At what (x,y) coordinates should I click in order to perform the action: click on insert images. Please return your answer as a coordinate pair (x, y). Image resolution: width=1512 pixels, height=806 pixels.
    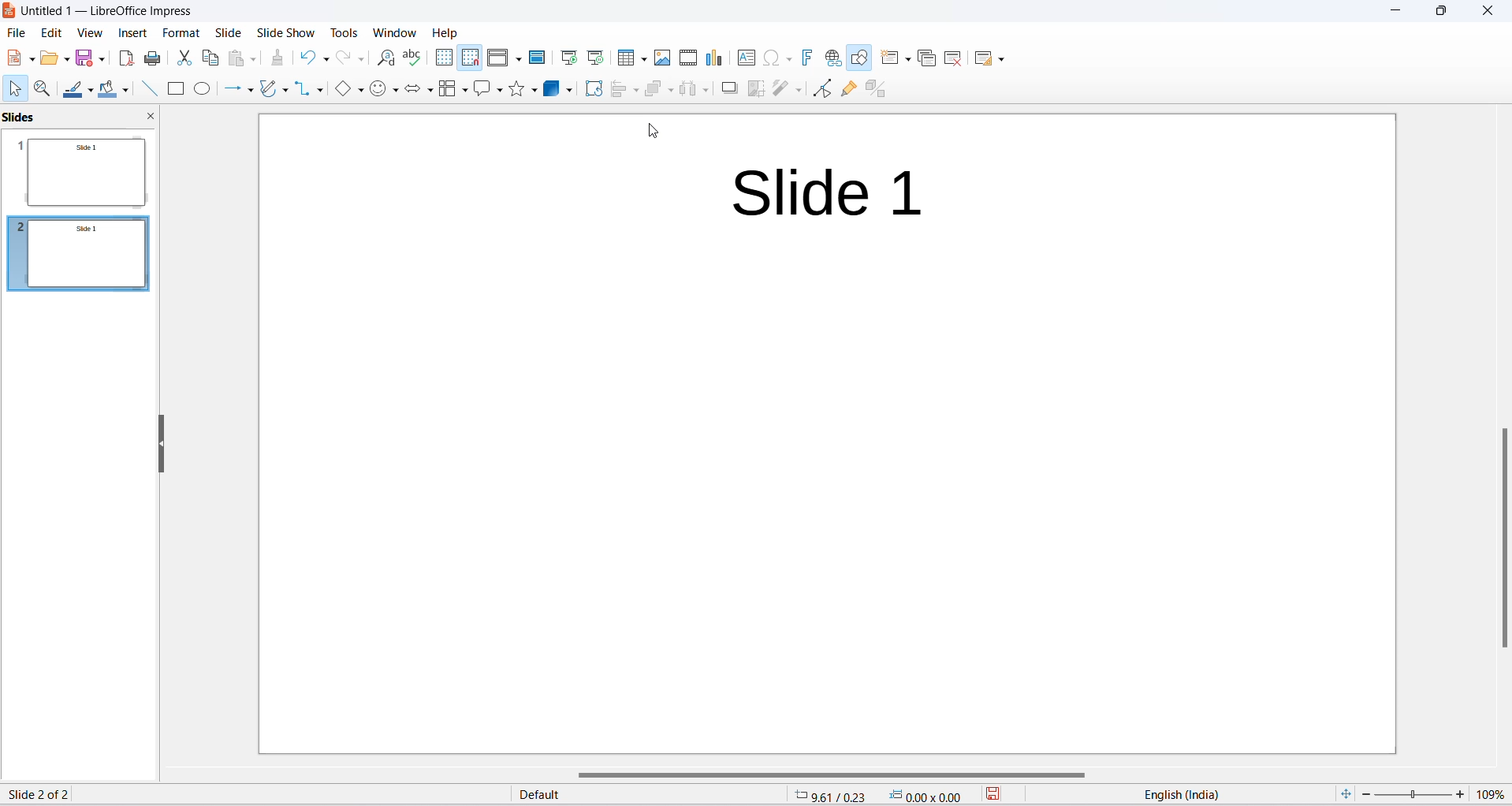
    Looking at the image, I should click on (660, 60).